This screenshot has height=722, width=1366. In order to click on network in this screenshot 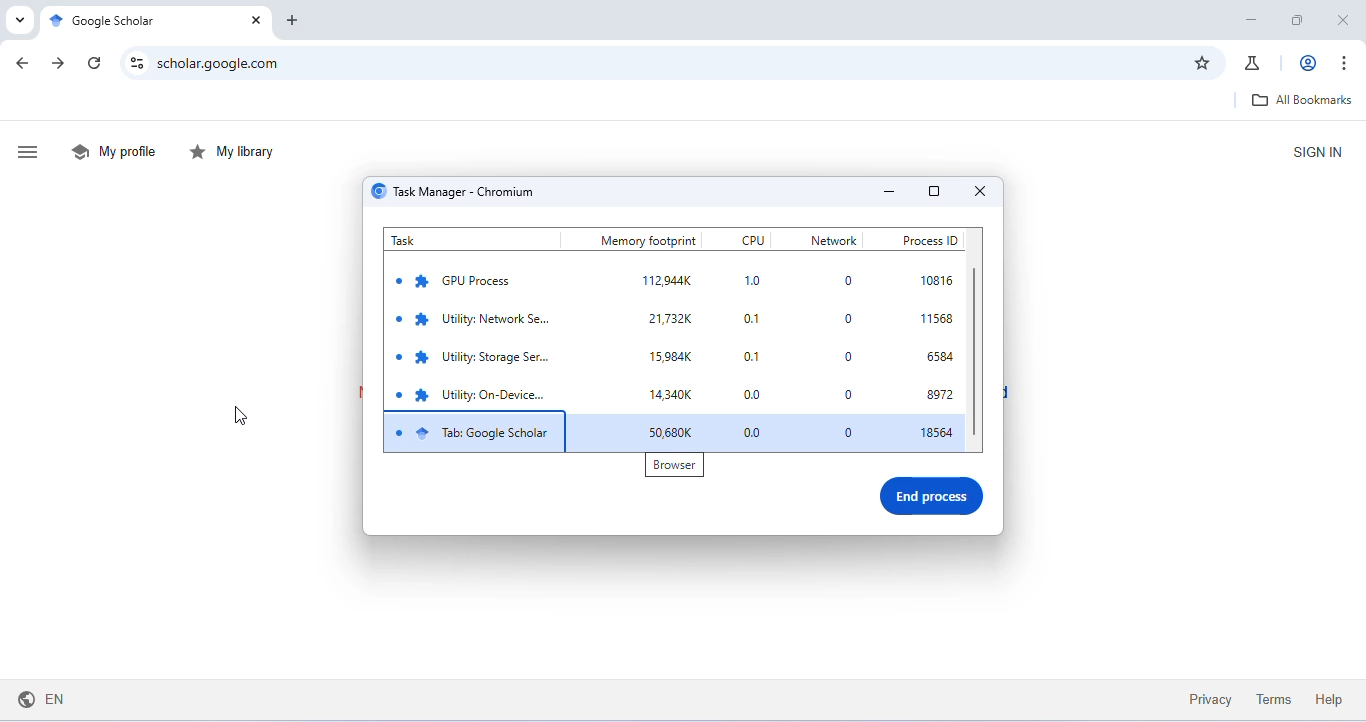, I will do `click(832, 240)`.